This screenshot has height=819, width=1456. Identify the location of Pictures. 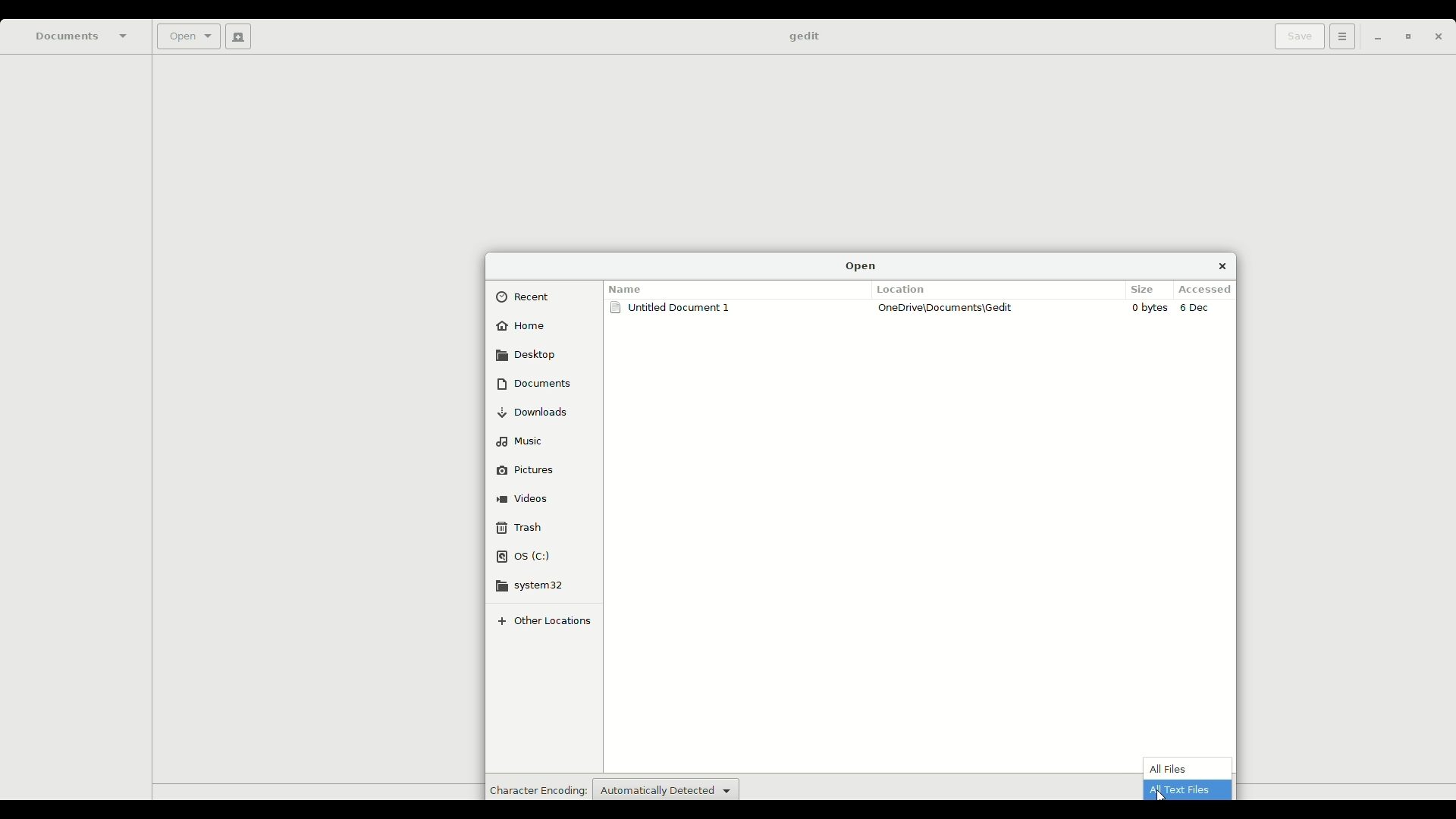
(535, 468).